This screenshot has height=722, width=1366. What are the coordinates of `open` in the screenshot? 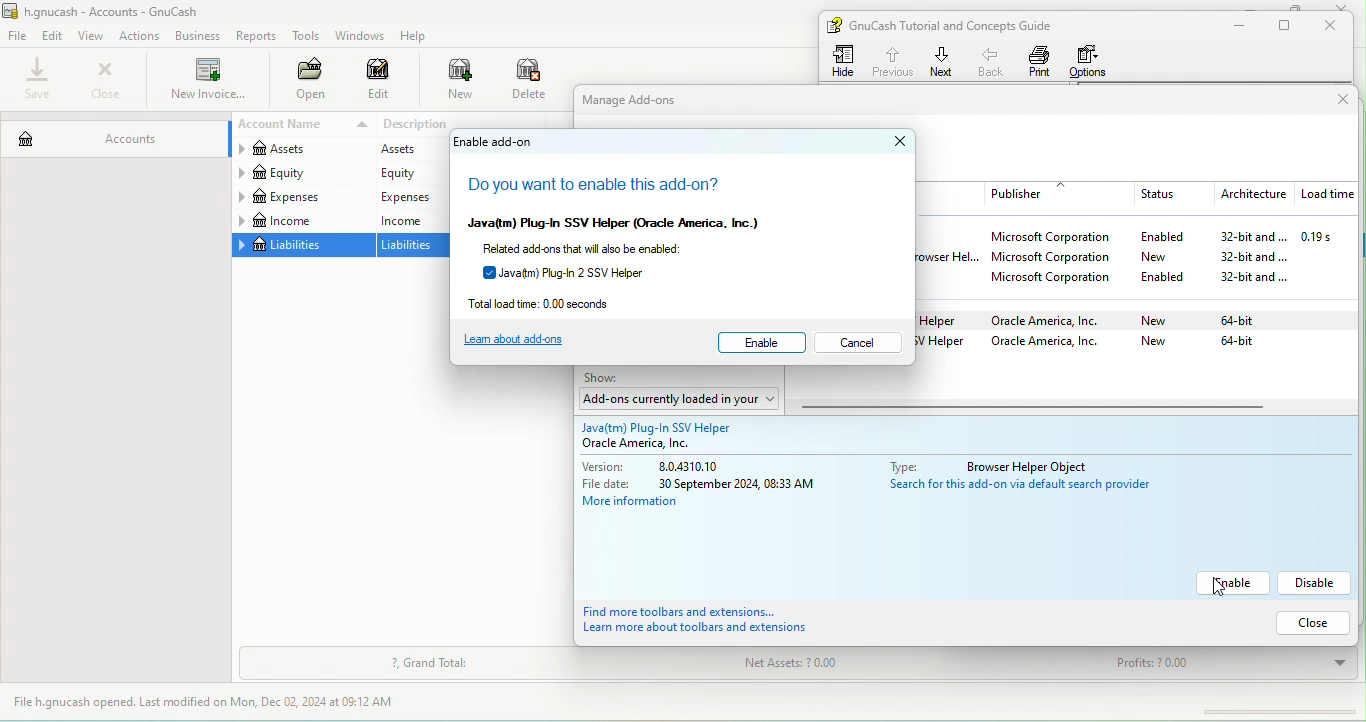 It's located at (305, 81).